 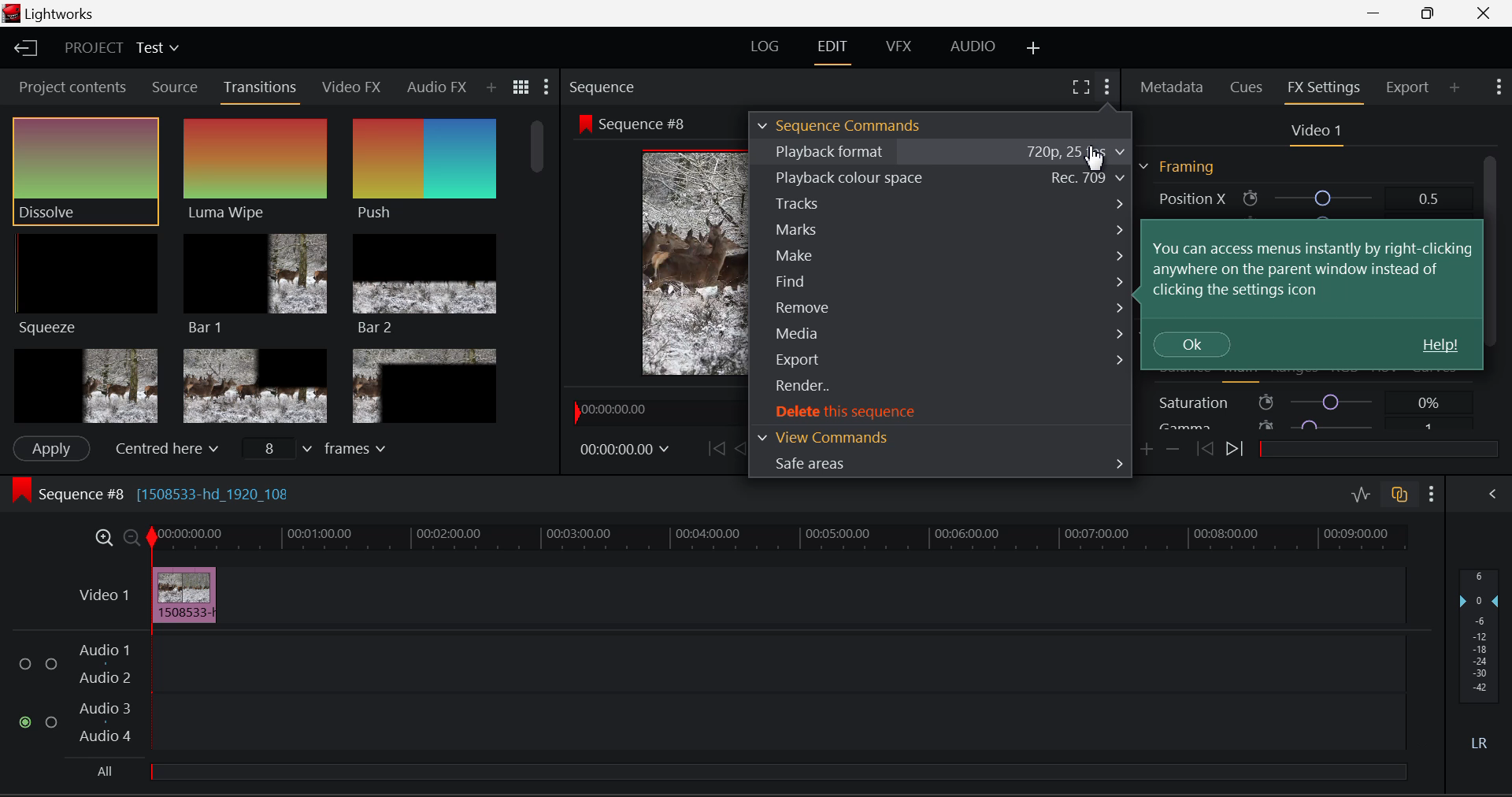 What do you see at coordinates (548, 85) in the screenshot?
I see `Show Settings` at bounding box center [548, 85].